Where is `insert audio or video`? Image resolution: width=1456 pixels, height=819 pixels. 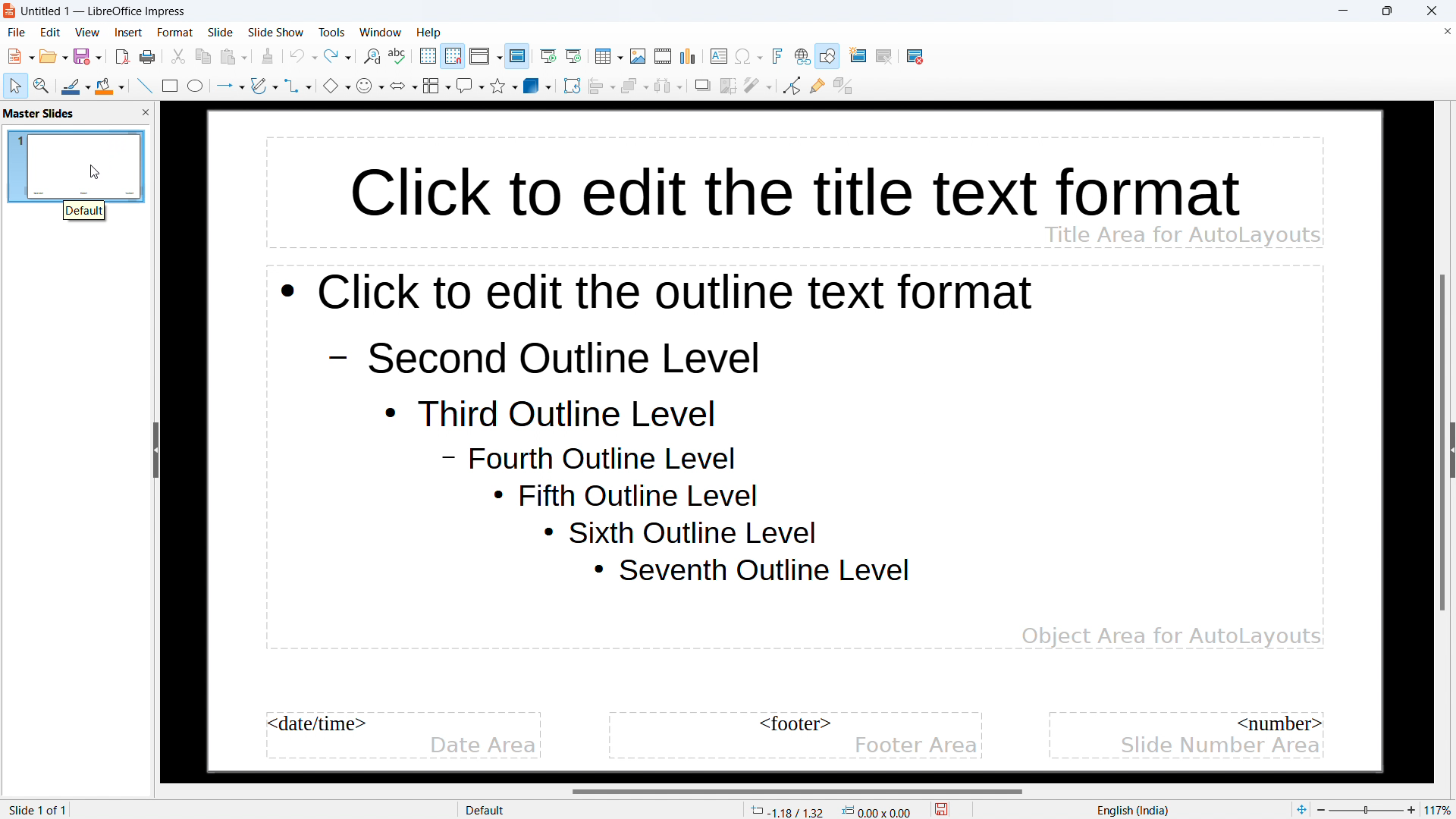
insert audio or video is located at coordinates (664, 57).